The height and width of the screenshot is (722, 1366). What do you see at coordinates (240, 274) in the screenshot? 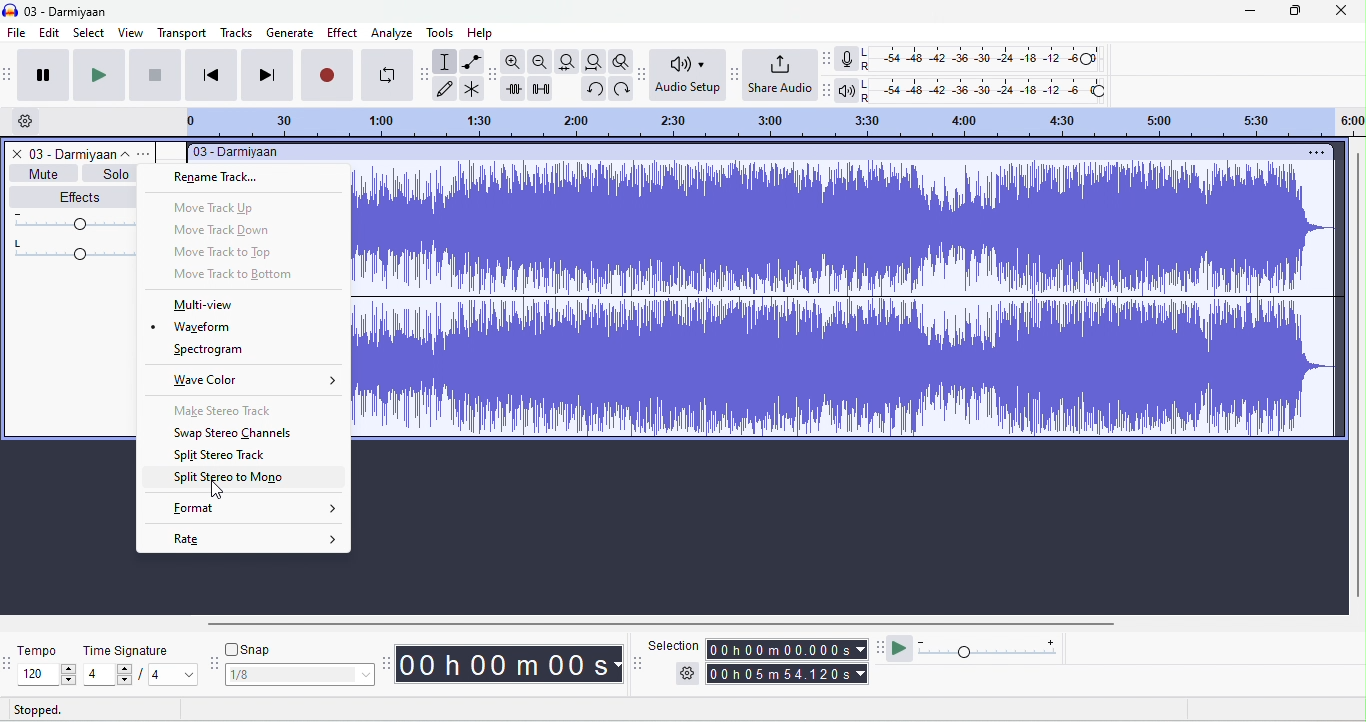
I see `move track to bottom` at bounding box center [240, 274].